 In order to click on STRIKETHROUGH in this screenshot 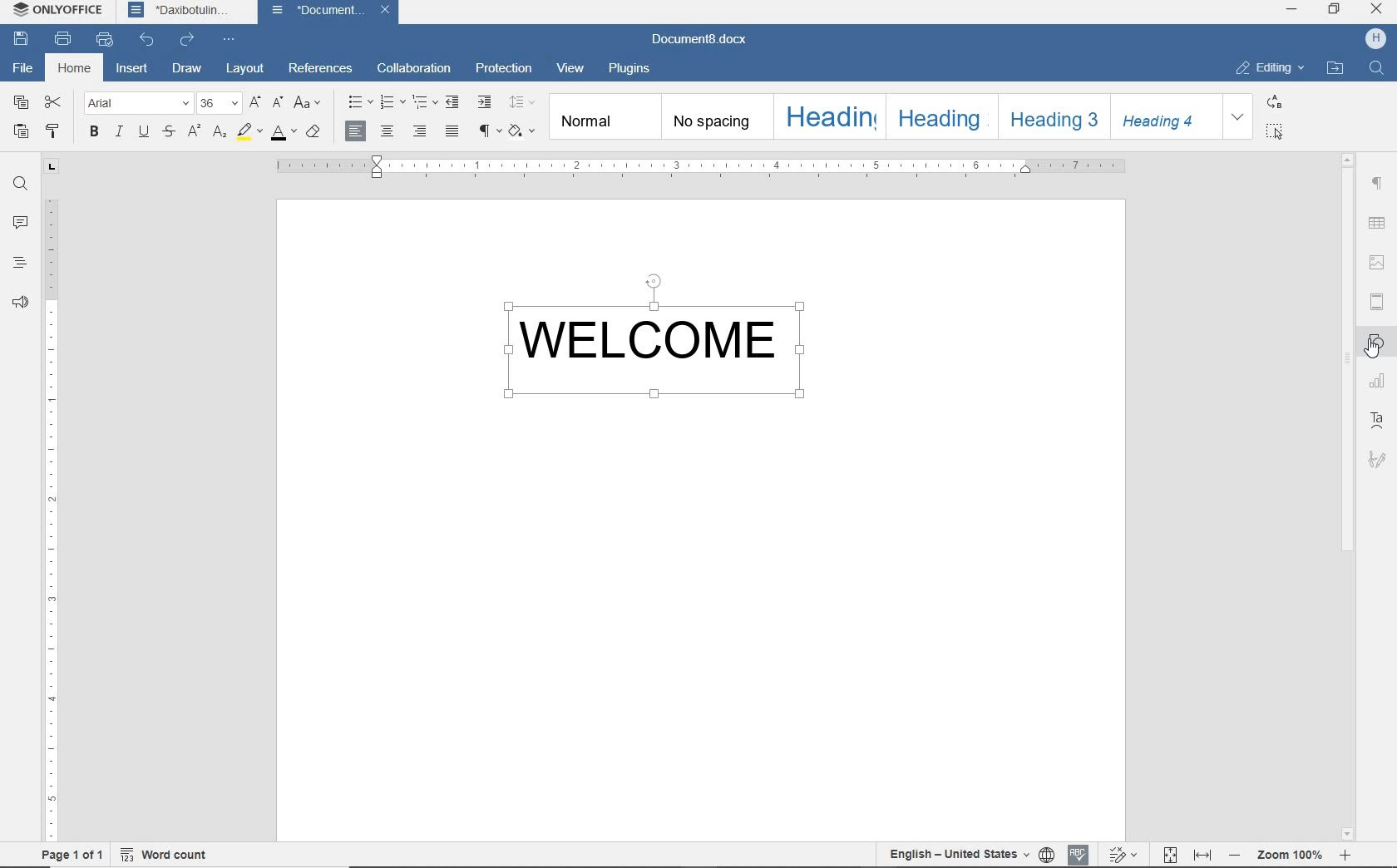, I will do `click(170, 131)`.